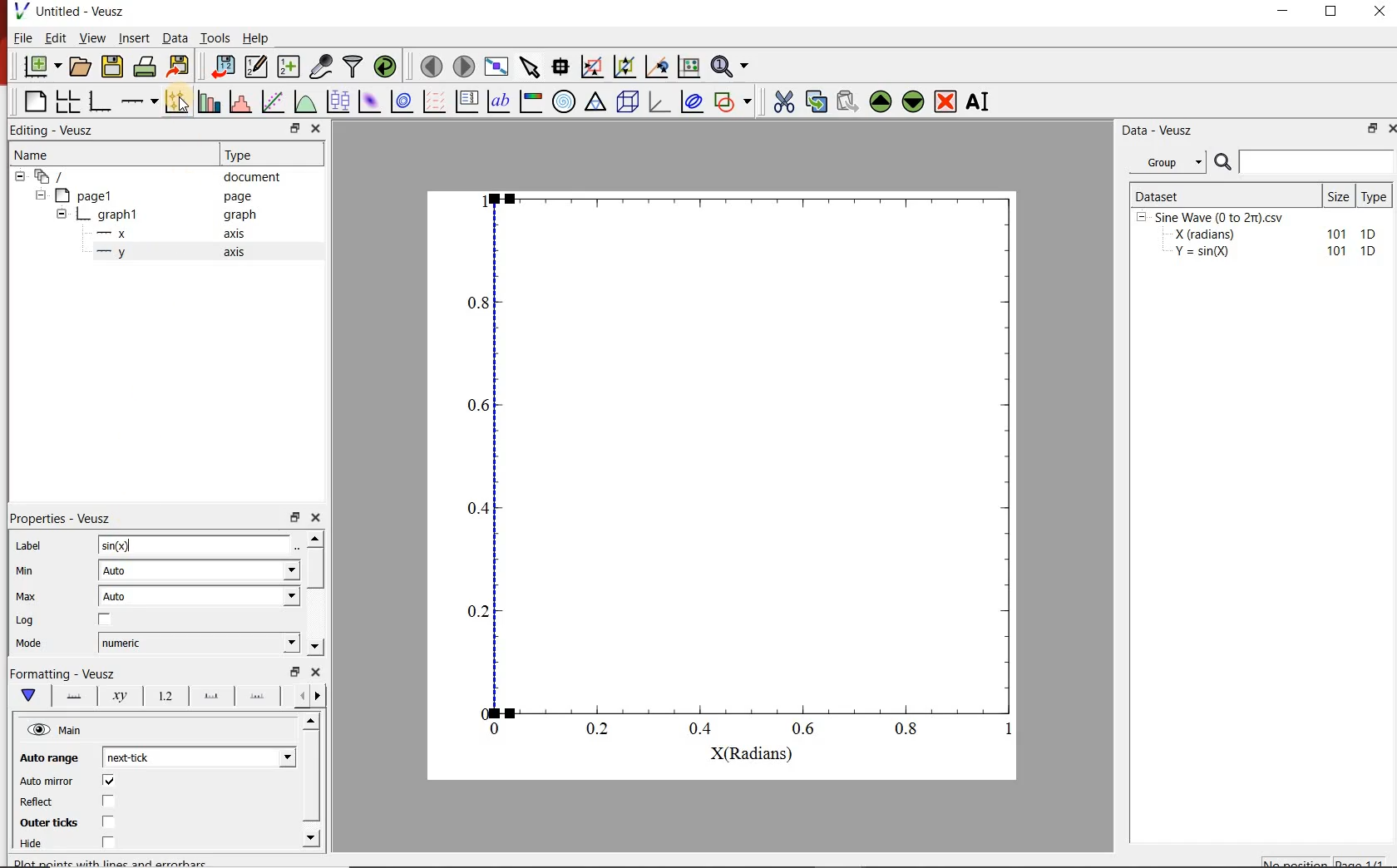 The width and height of the screenshot is (1397, 868). I want to click on plot 2d dataset as image, so click(370, 101).